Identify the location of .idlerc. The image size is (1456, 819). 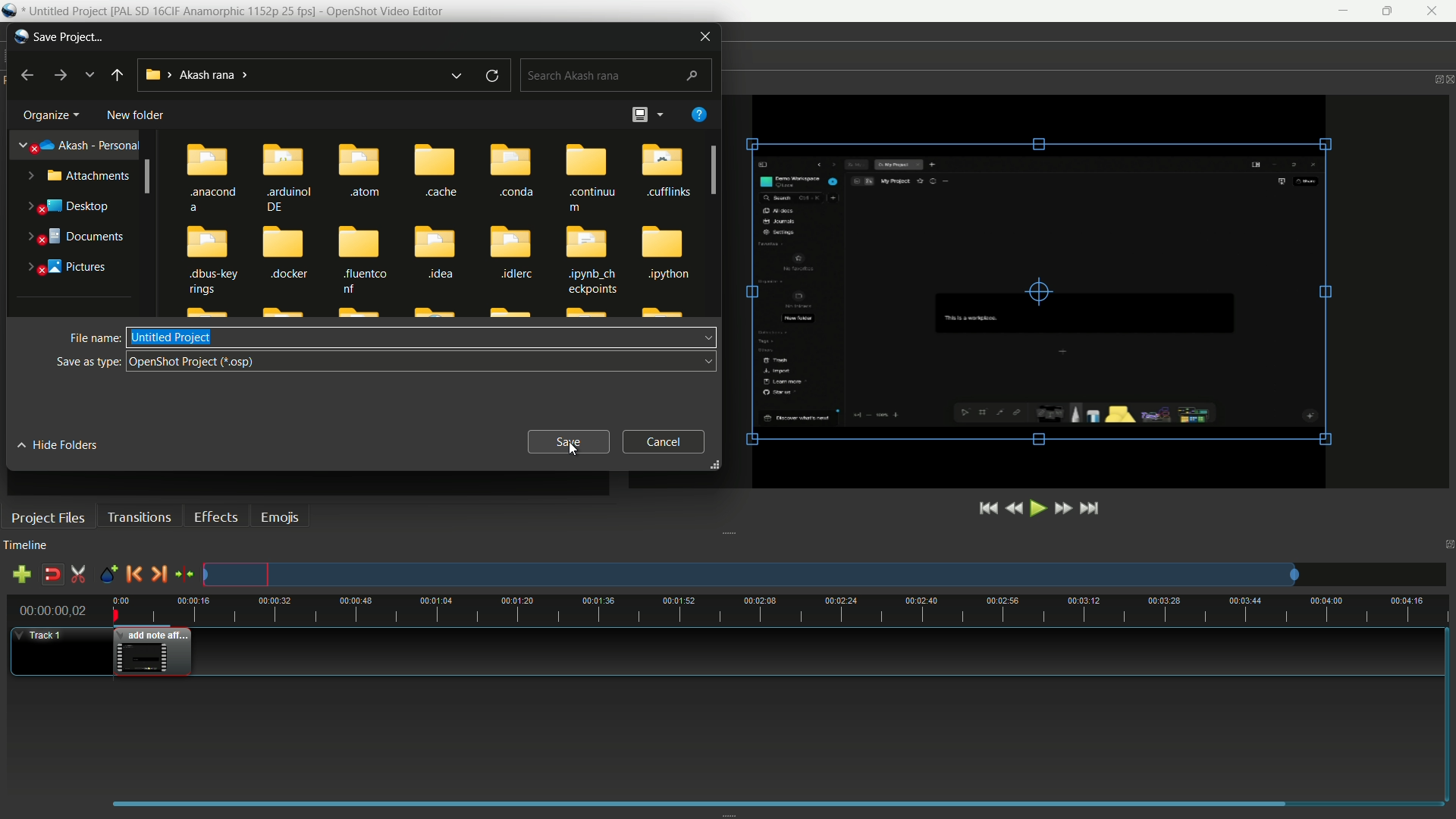
(512, 255).